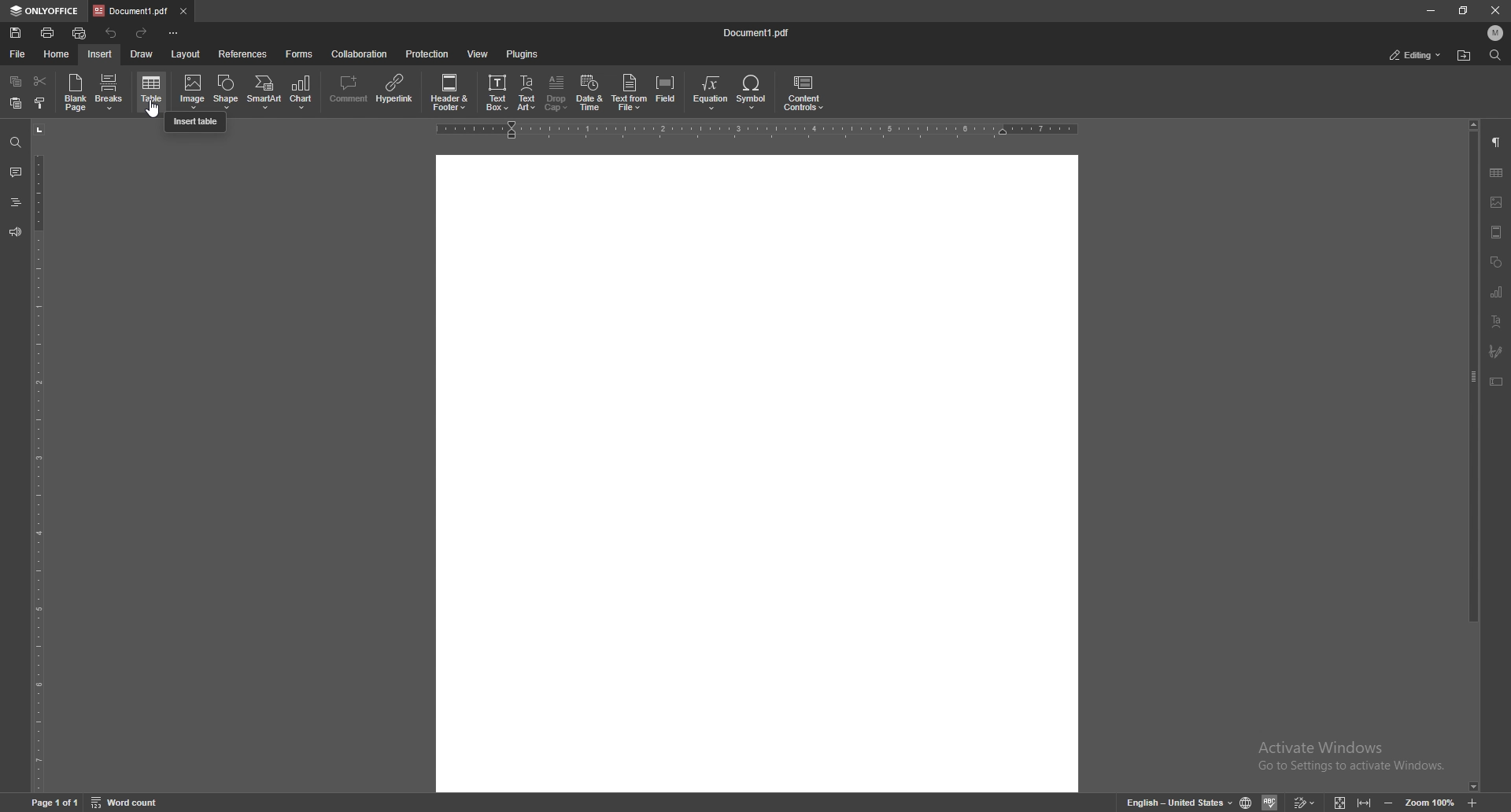 This screenshot has width=1511, height=812. Describe the element at coordinates (556, 93) in the screenshot. I see `drop cap` at that location.